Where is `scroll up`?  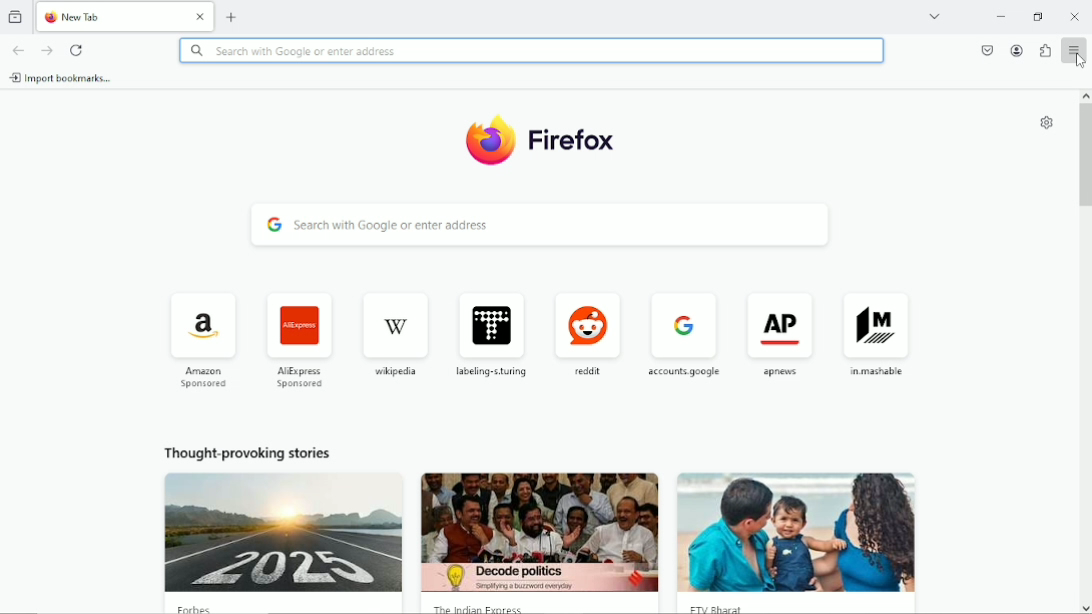
scroll up is located at coordinates (1085, 93).